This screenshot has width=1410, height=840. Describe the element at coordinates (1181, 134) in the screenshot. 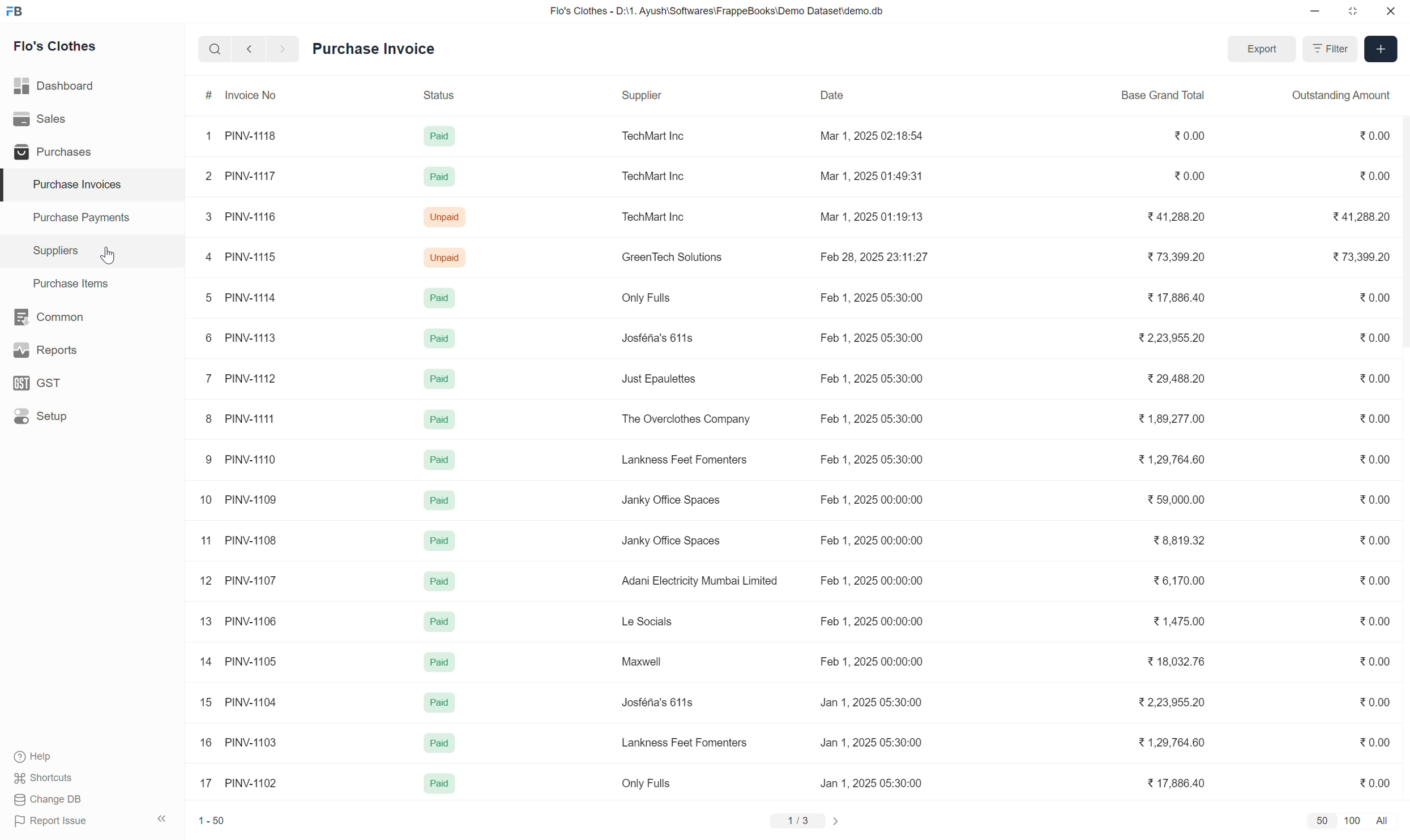

I see `20.00` at that location.